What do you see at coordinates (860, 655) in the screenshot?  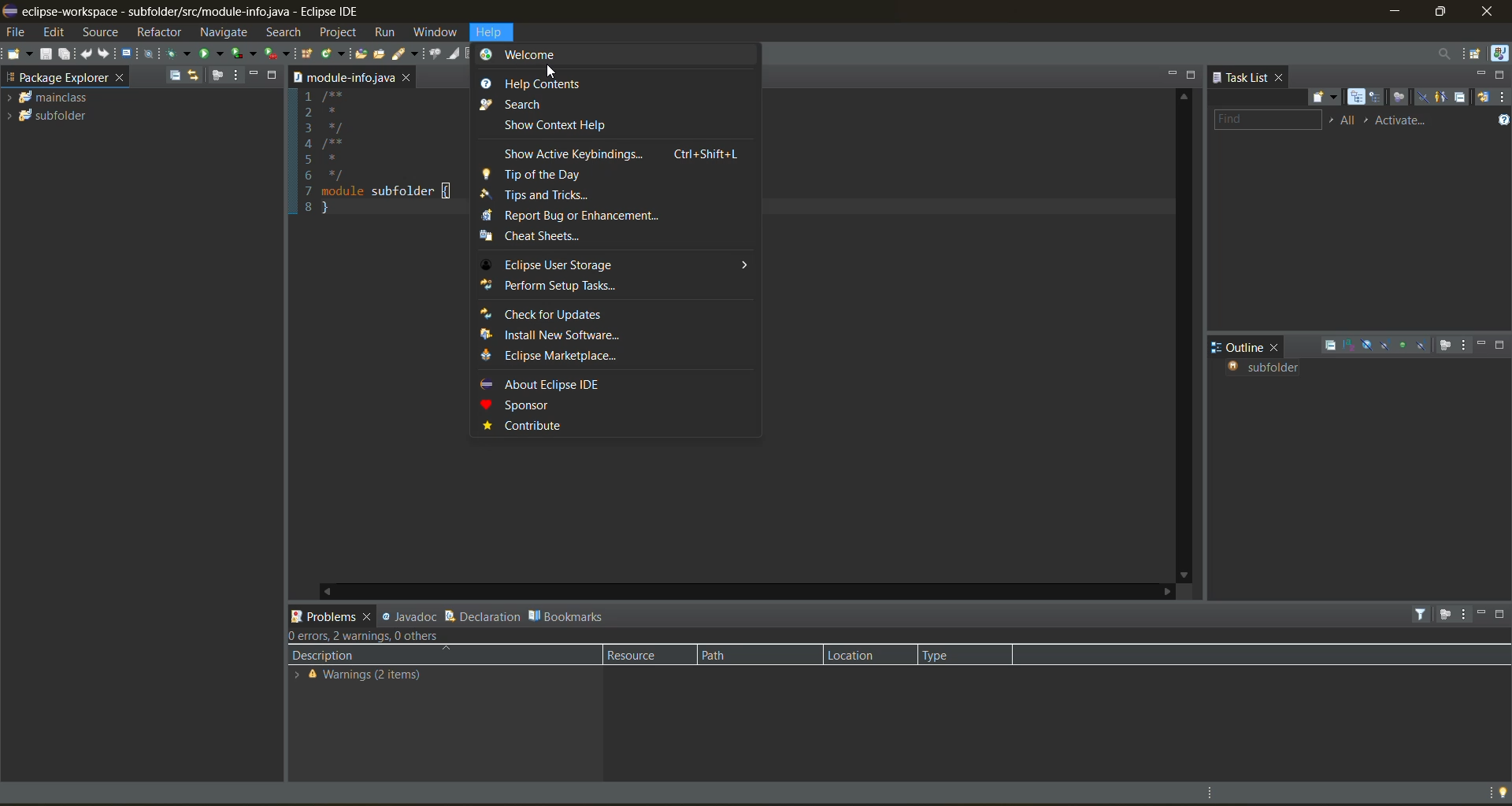 I see `location` at bounding box center [860, 655].